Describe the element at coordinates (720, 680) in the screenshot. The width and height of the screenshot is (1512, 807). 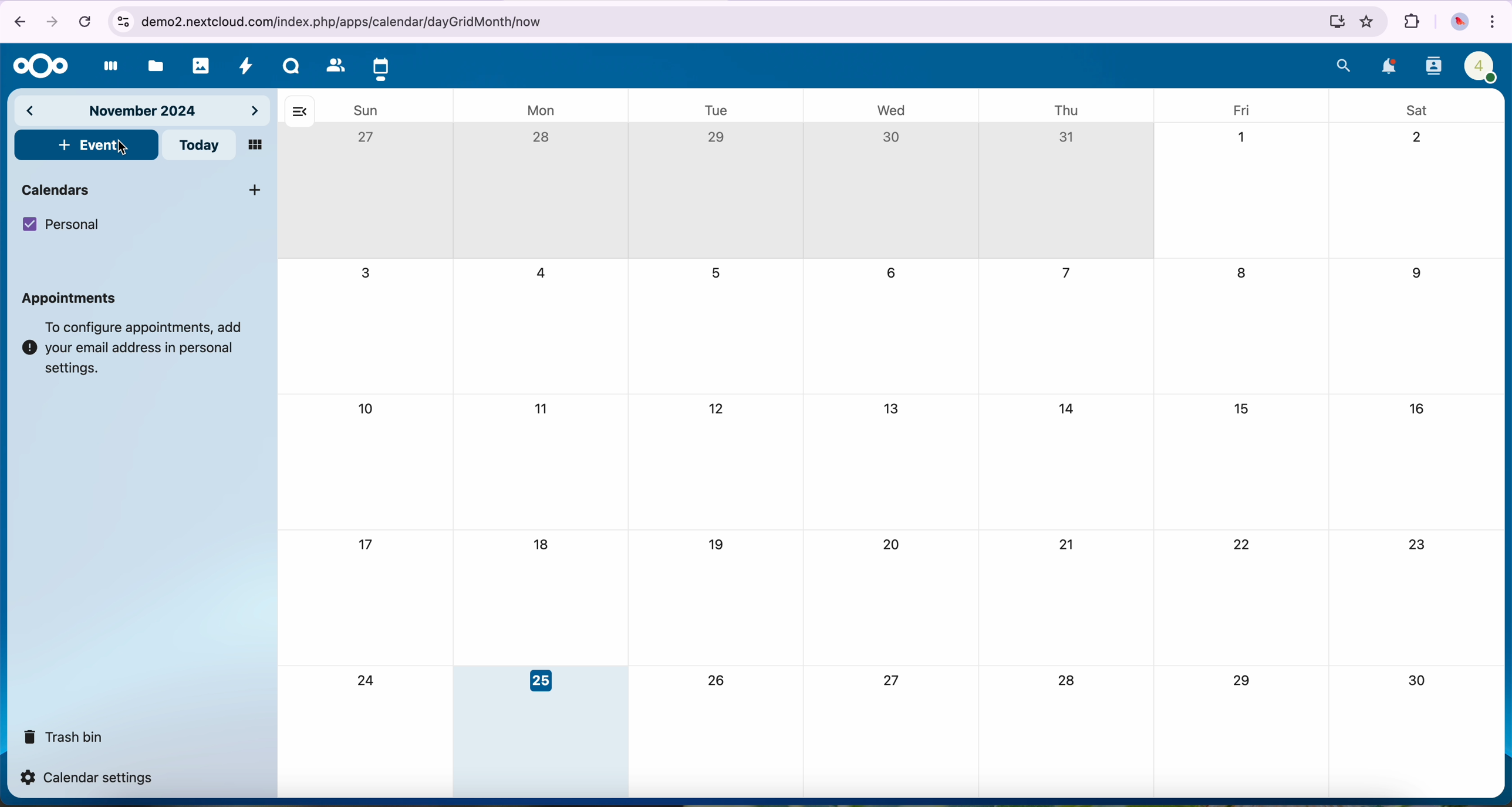
I see `26` at that location.